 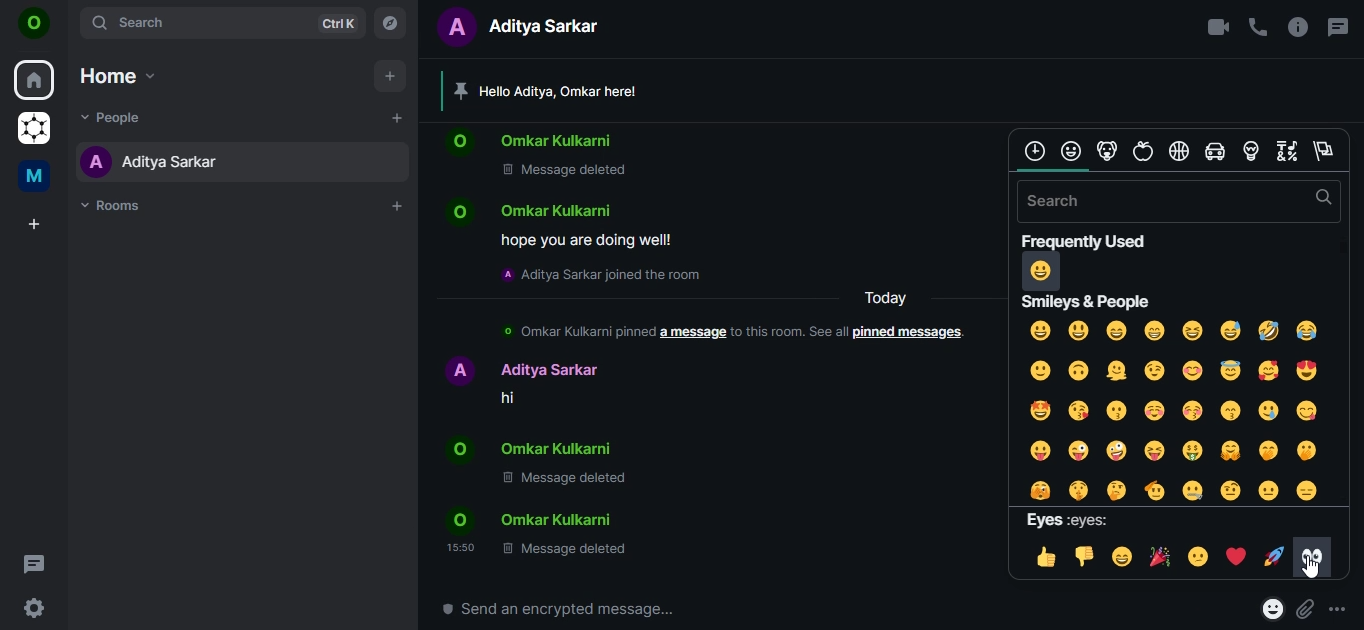 I want to click on smiling face with halo, so click(x=1229, y=369).